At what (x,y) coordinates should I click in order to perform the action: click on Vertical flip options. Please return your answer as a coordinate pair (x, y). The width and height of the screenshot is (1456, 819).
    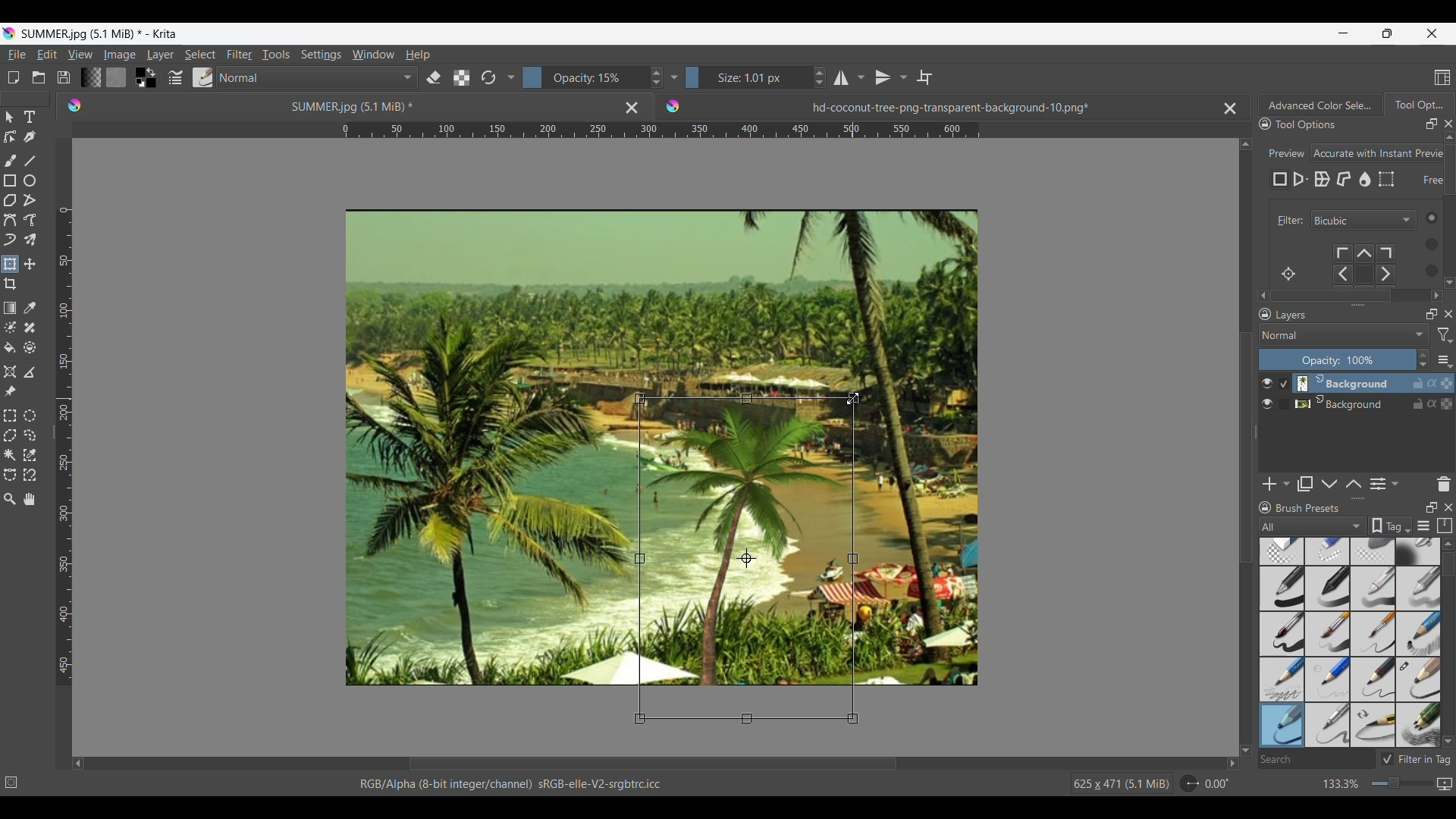
    Looking at the image, I should click on (902, 77).